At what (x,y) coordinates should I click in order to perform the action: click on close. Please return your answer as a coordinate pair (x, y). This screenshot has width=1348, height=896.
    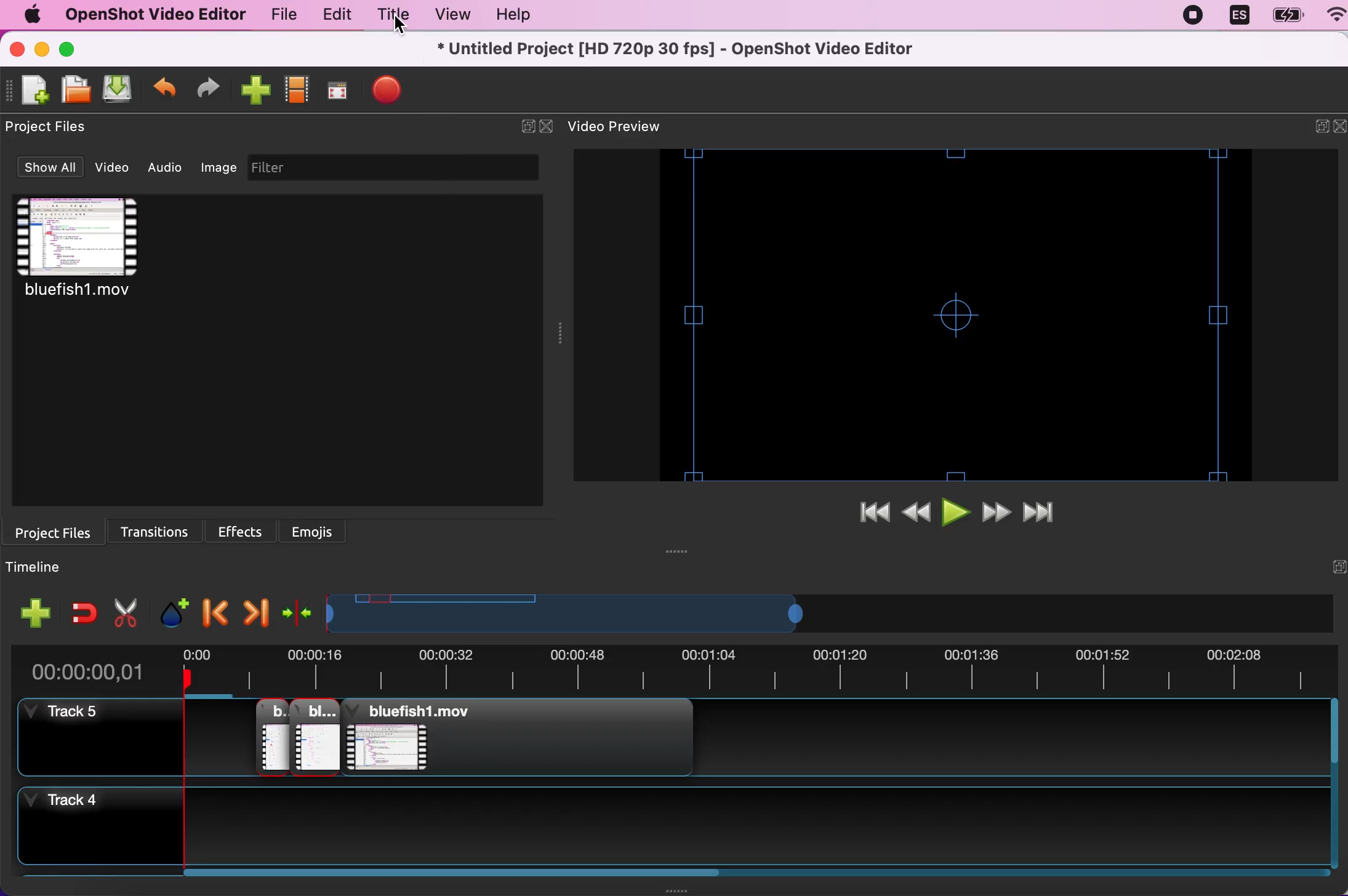
    Looking at the image, I should click on (548, 127).